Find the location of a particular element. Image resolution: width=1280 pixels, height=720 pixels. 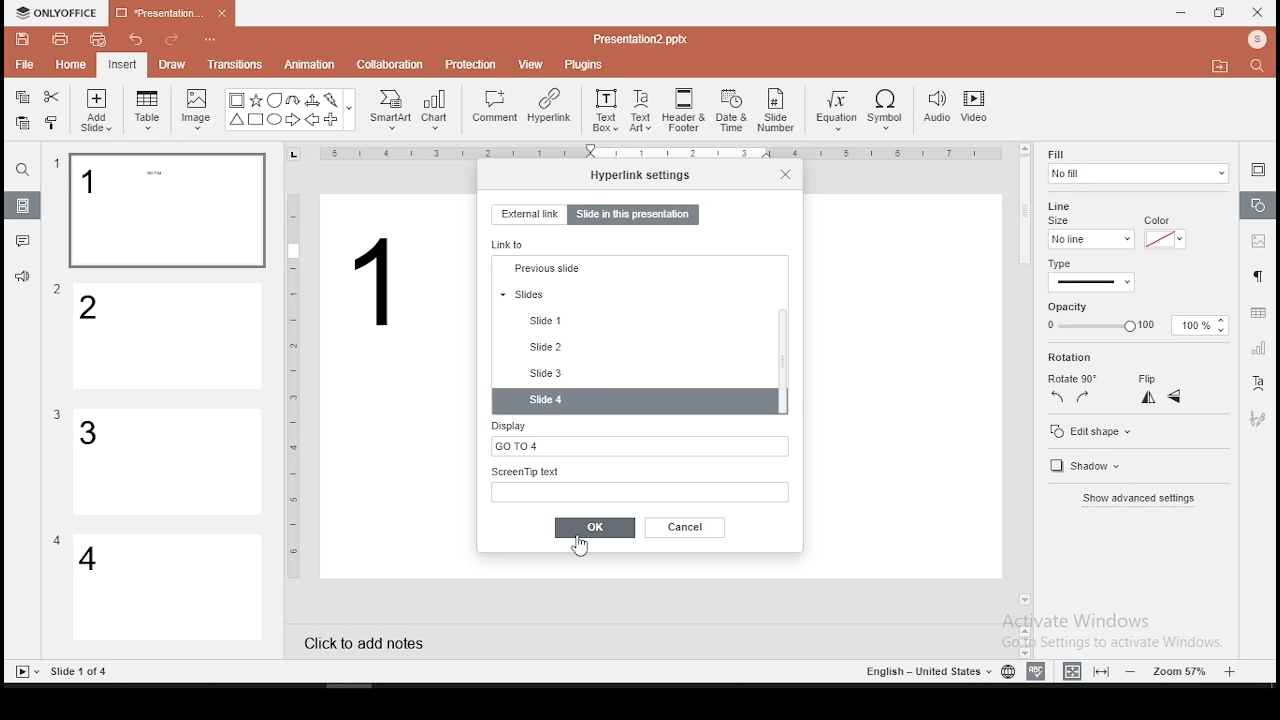

slides is located at coordinates (24, 206).